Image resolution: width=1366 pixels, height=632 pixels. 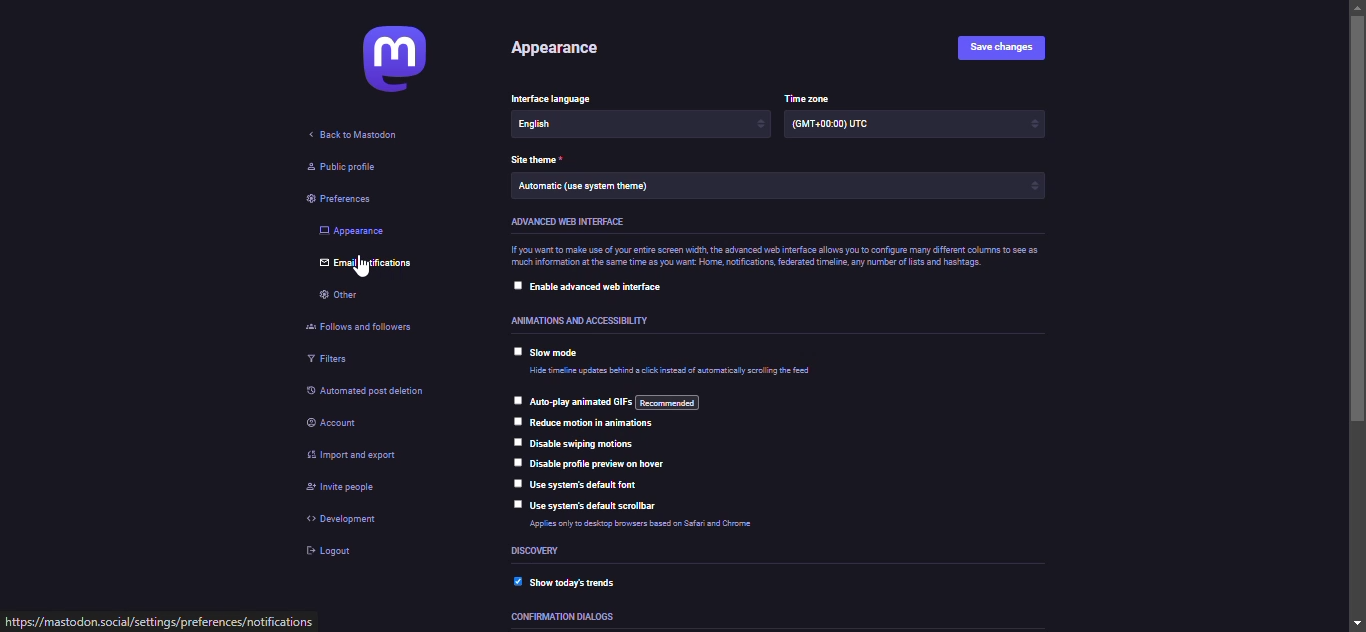 What do you see at coordinates (515, 441) in the screenshot?
I see `click to select` at bounding box center [515, 441].